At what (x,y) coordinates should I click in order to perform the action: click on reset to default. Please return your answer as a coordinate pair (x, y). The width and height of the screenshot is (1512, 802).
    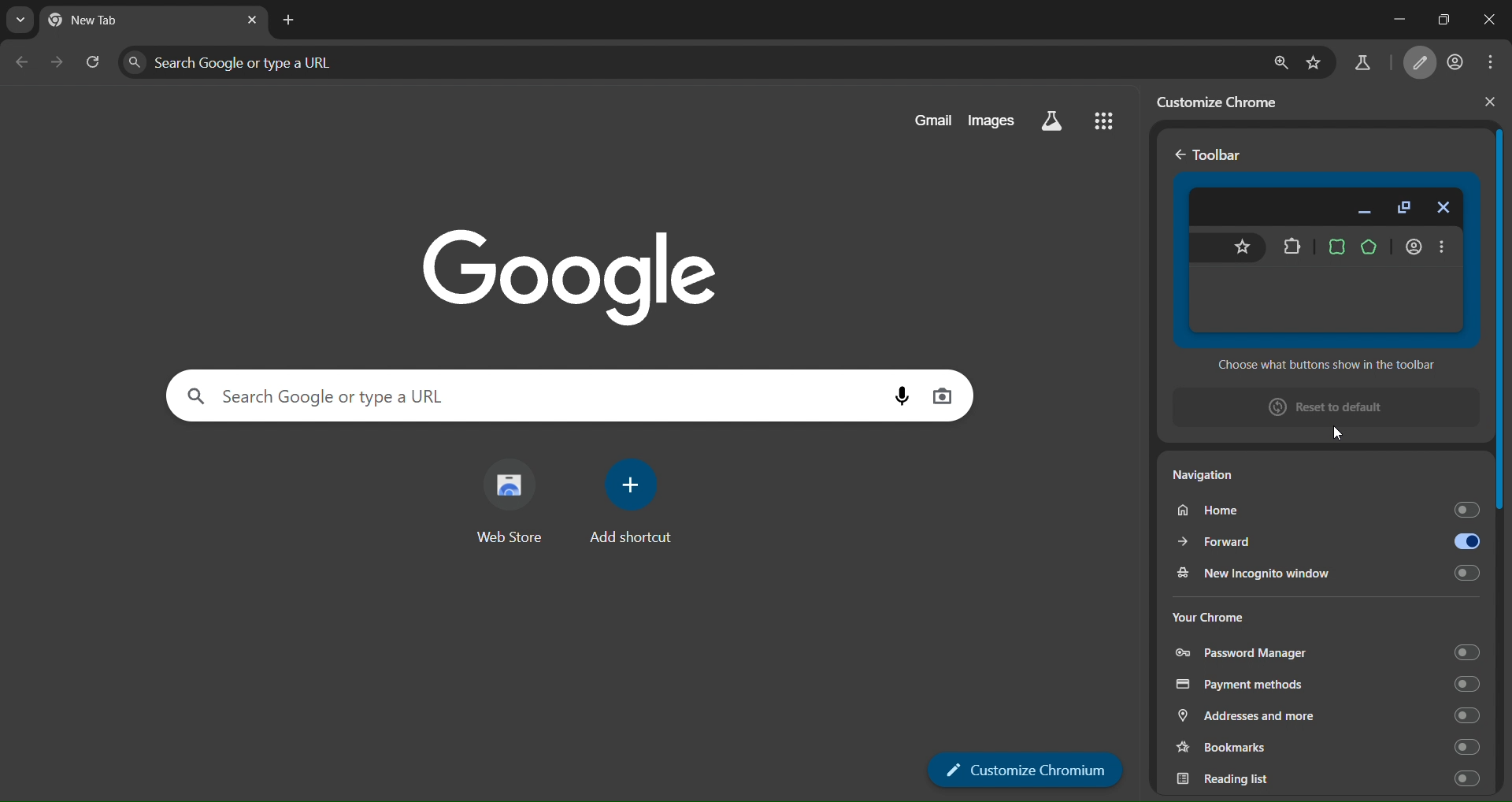
    Looking at the image, I should click on (1323, 408).